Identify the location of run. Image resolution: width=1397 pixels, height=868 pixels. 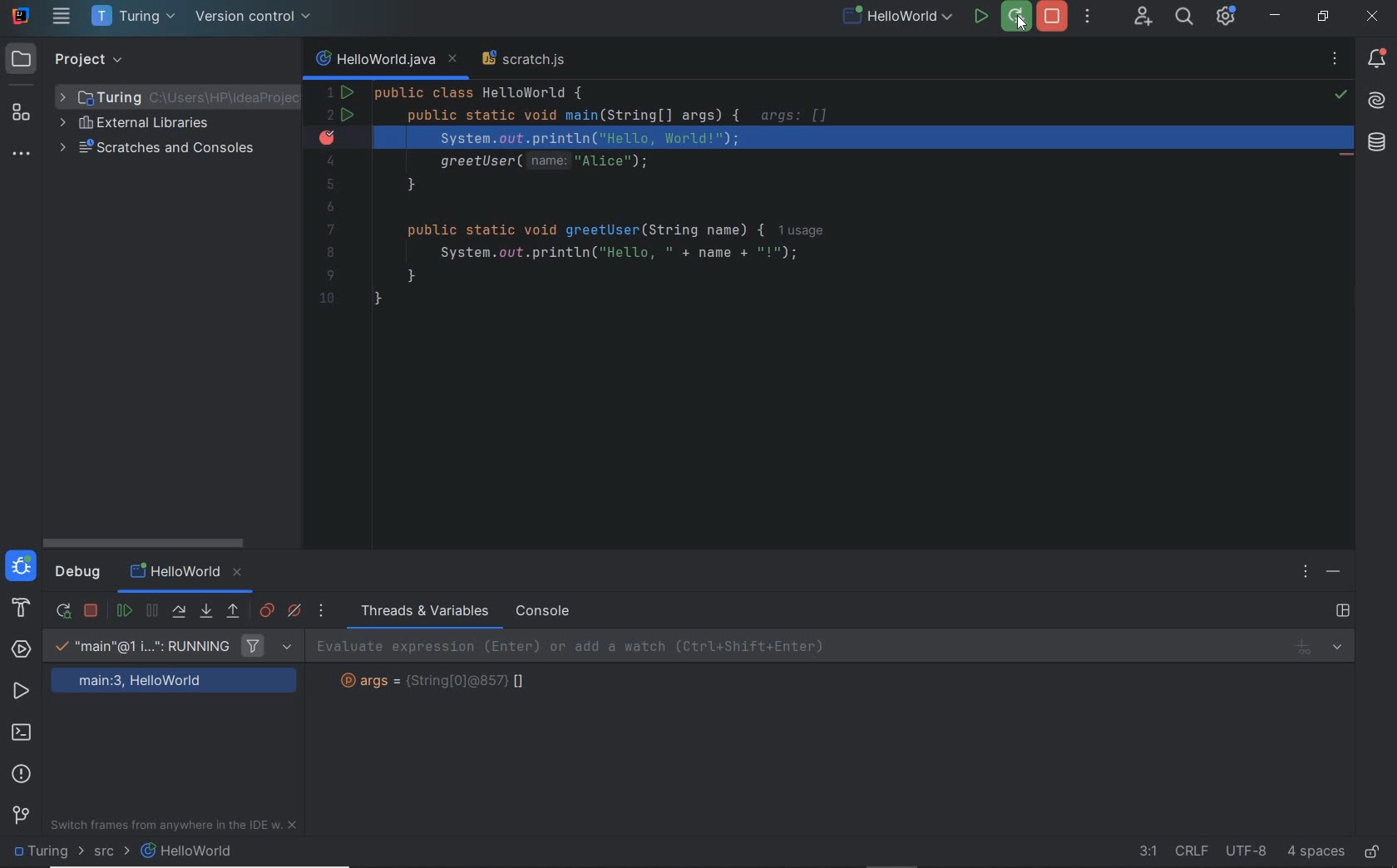
(22, 693).